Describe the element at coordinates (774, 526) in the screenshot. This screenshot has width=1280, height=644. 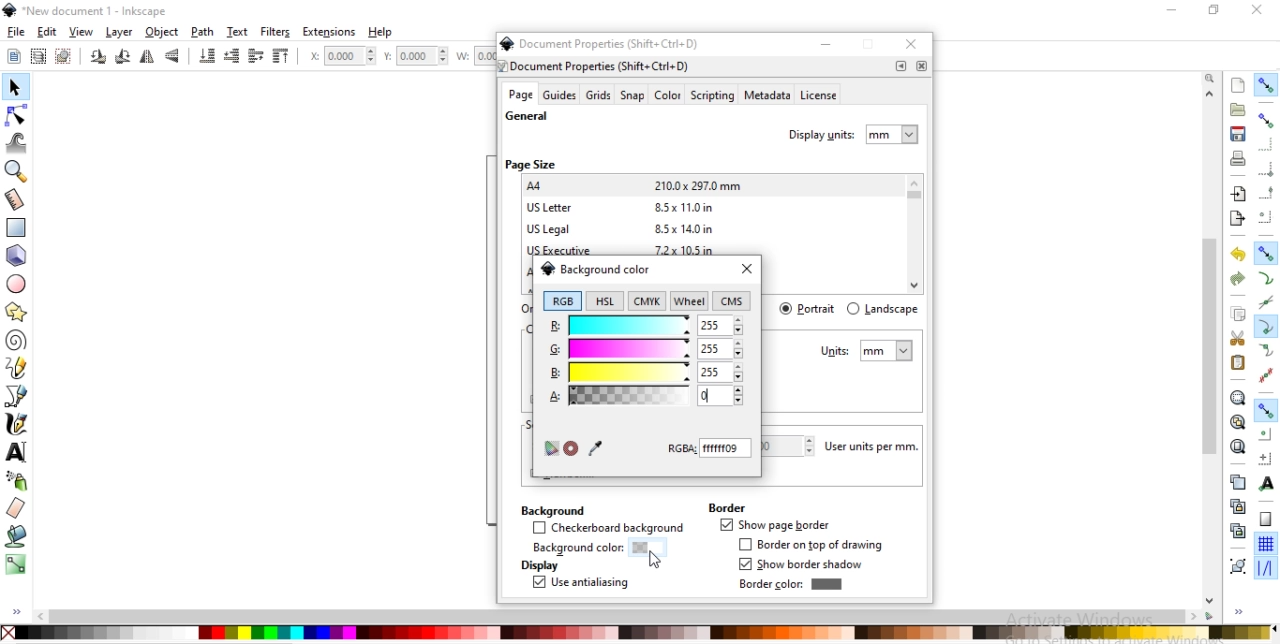
I see `show page border` at that location.